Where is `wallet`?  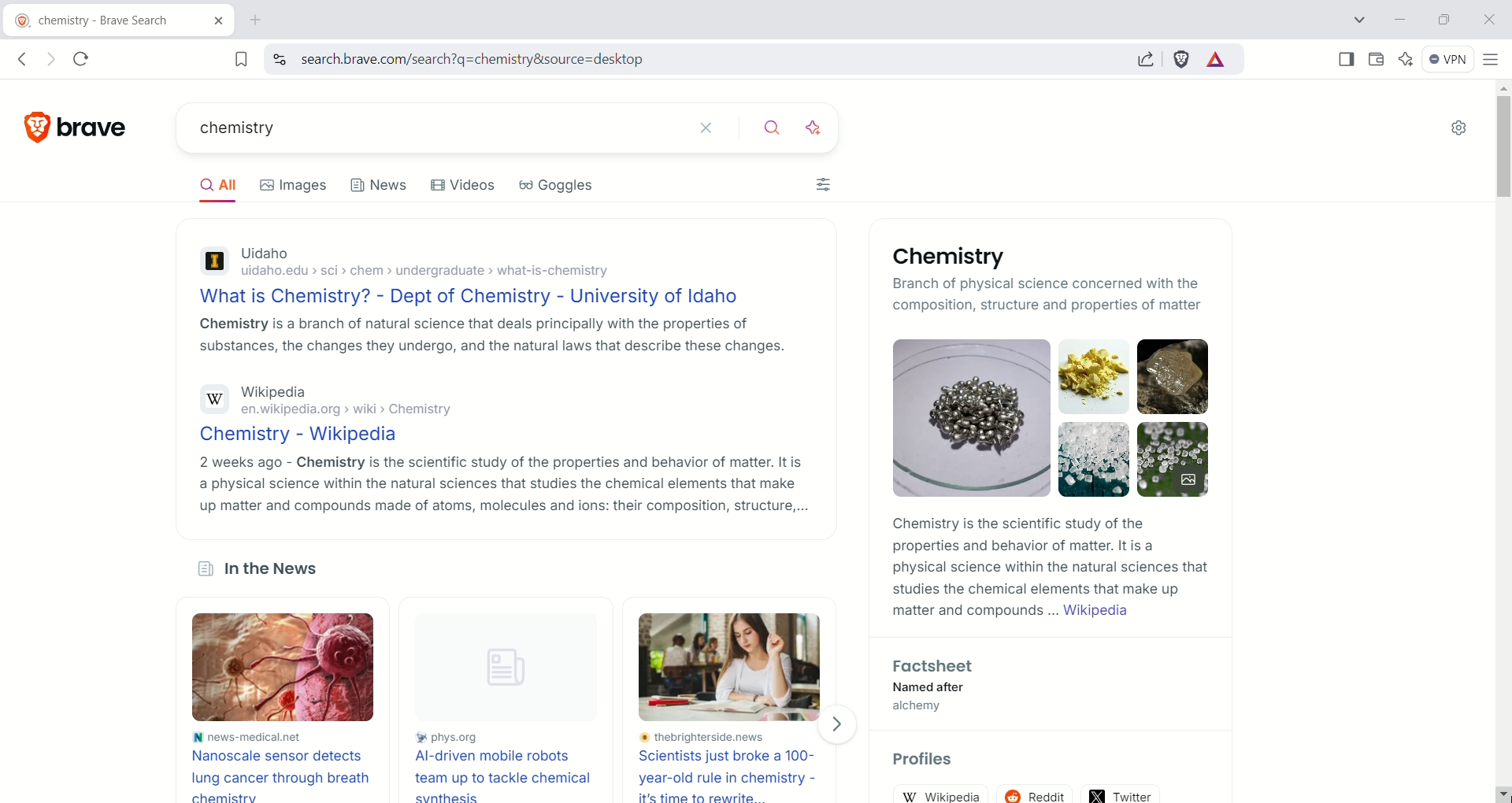 wallet is located at coordinates (1373, 57).